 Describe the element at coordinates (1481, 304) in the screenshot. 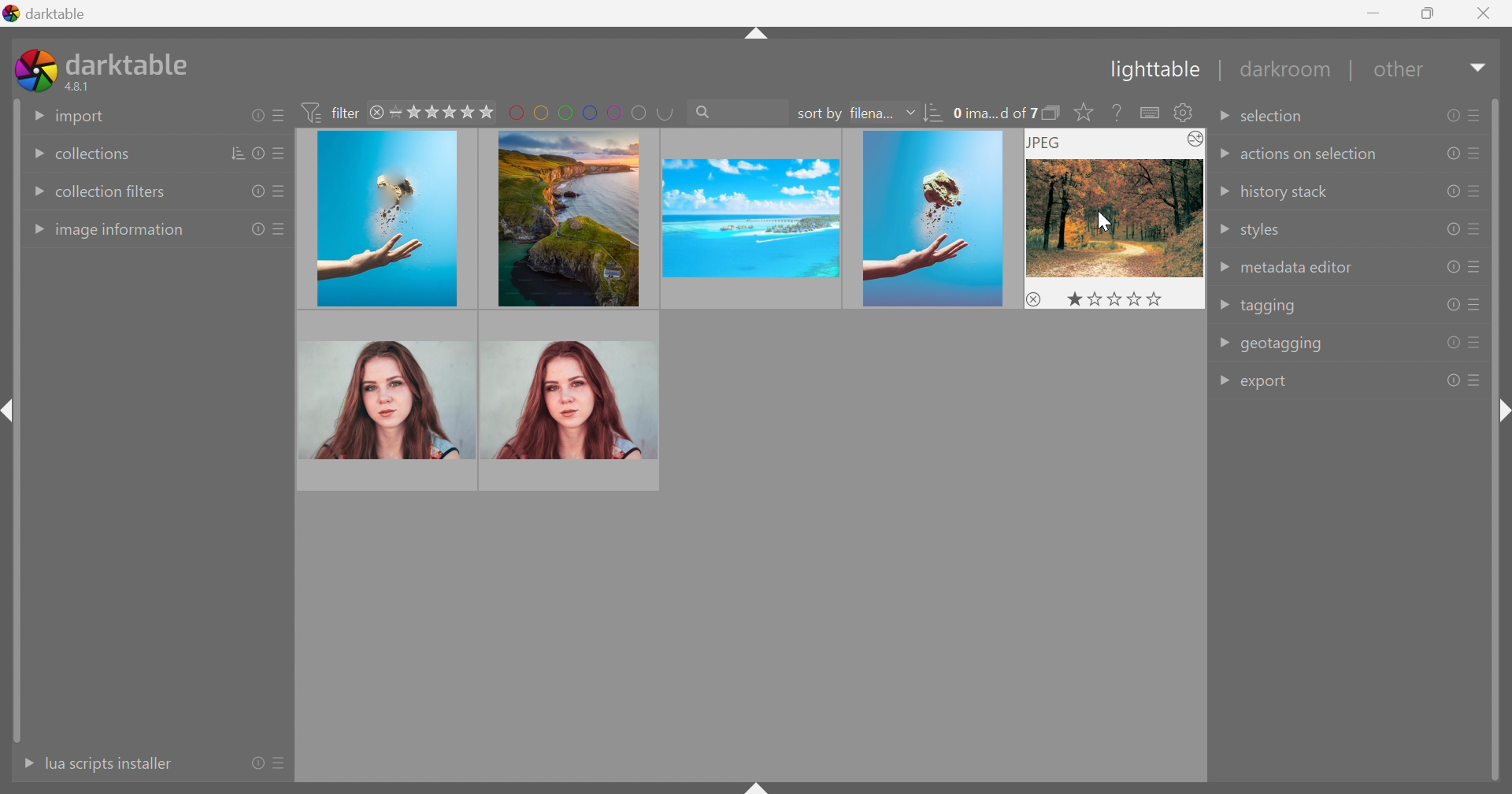

I see `presets` at that location.